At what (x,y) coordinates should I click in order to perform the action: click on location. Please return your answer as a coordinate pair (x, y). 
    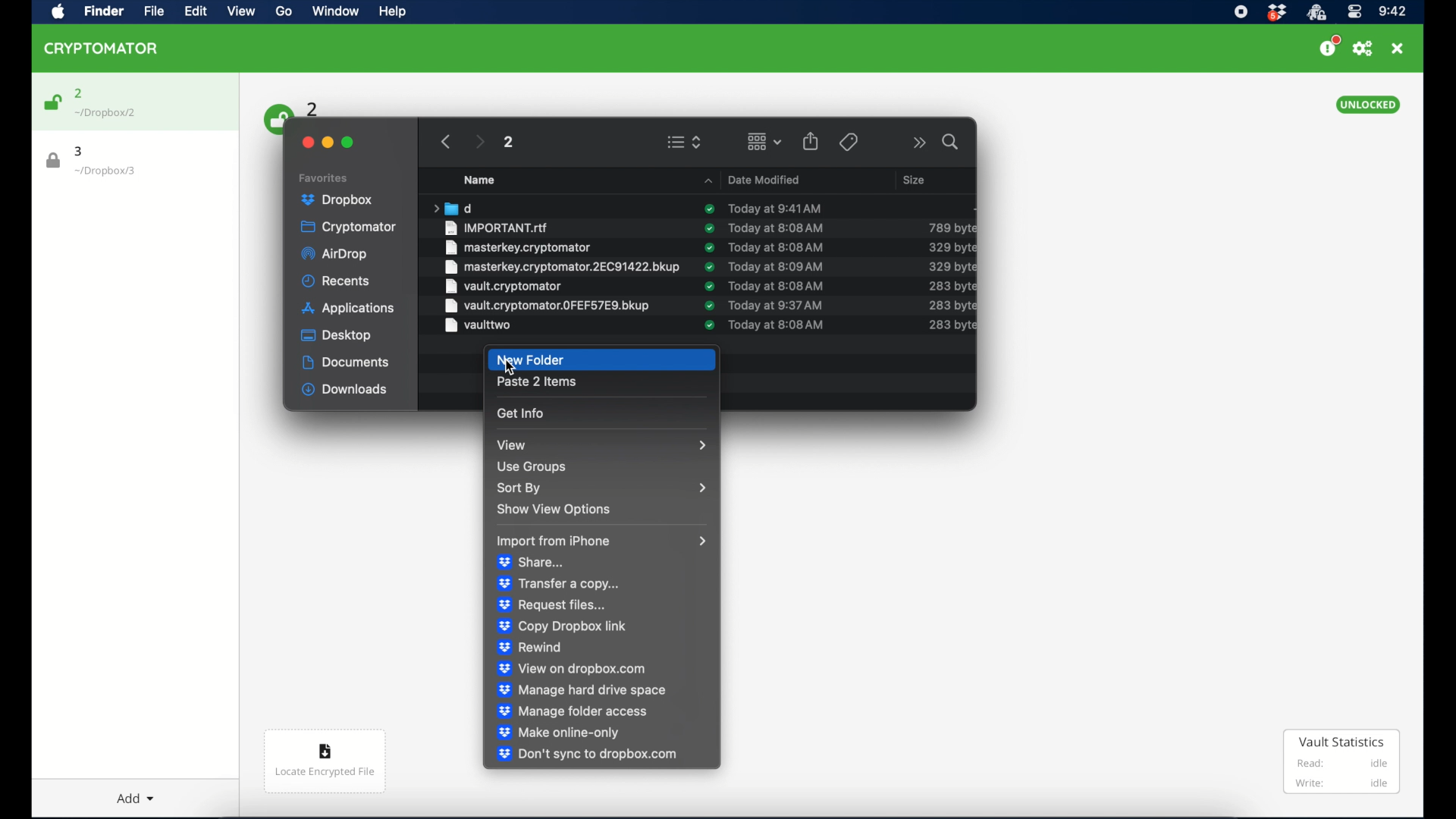
    Looking at the image, I should click on (106, 113).